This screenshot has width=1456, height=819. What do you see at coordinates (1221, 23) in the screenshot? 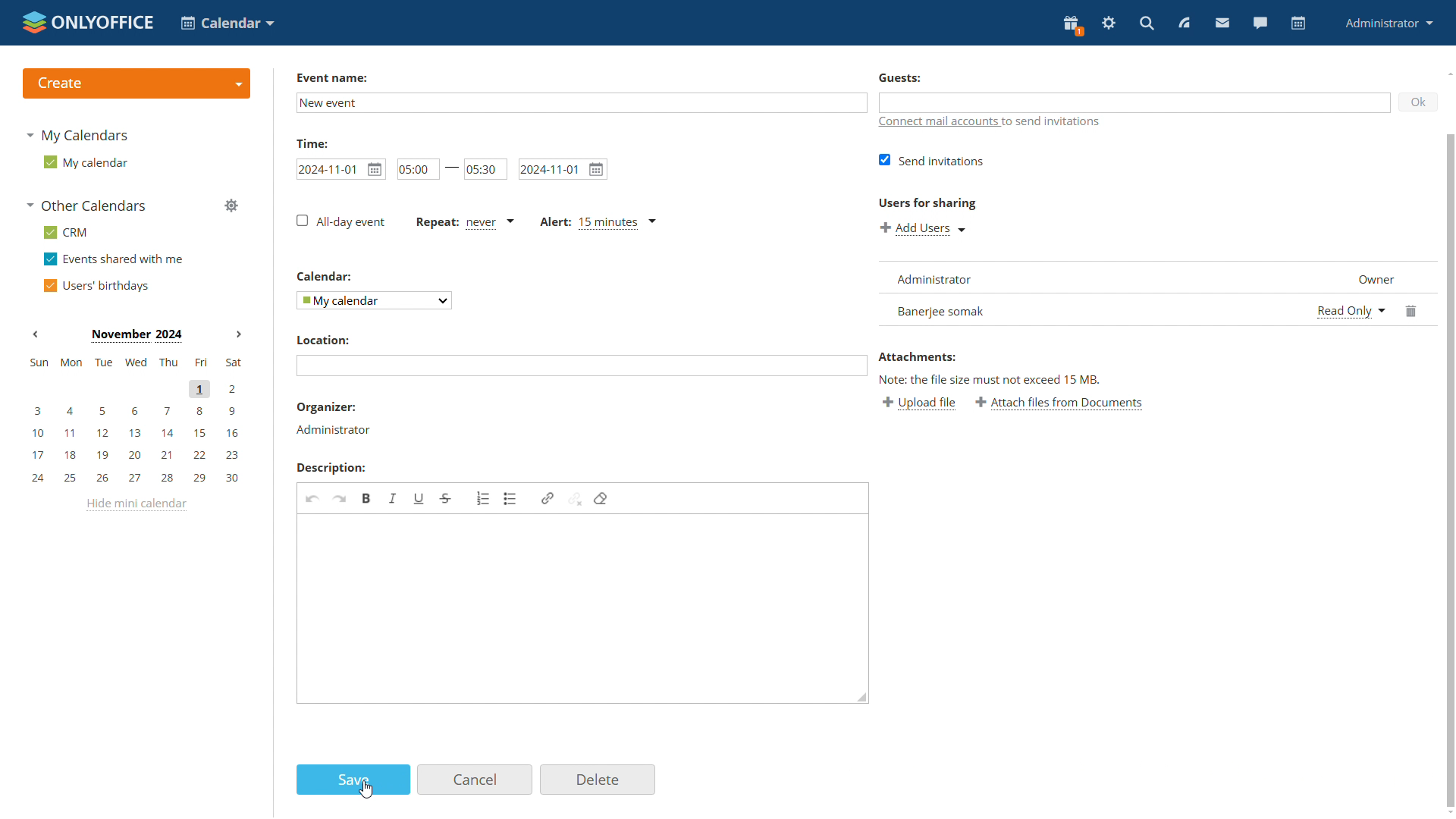
I see `mail` at bounding box center [1221, 23].